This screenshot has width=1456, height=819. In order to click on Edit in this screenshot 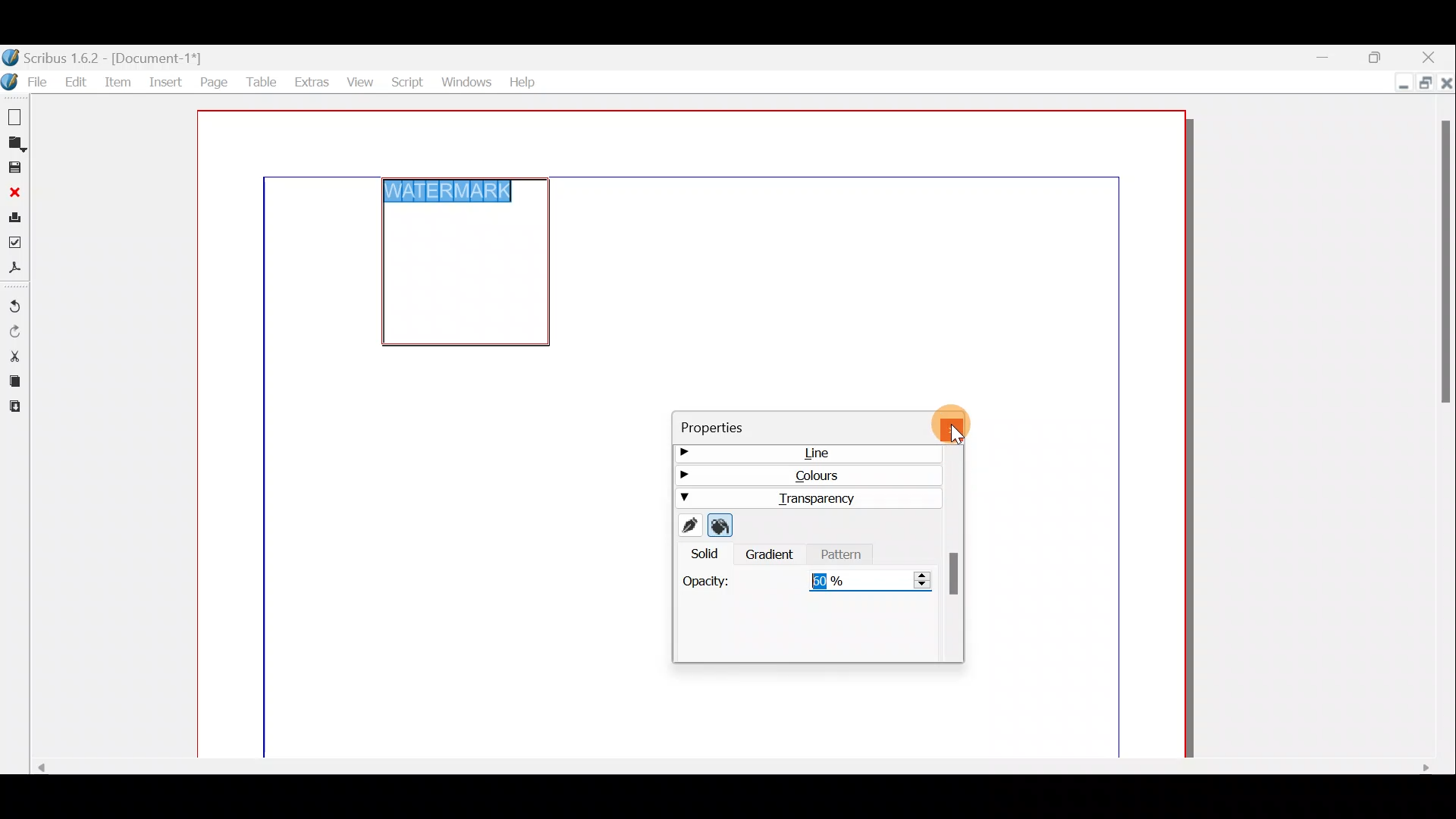, I will do `click(77, 81)`.